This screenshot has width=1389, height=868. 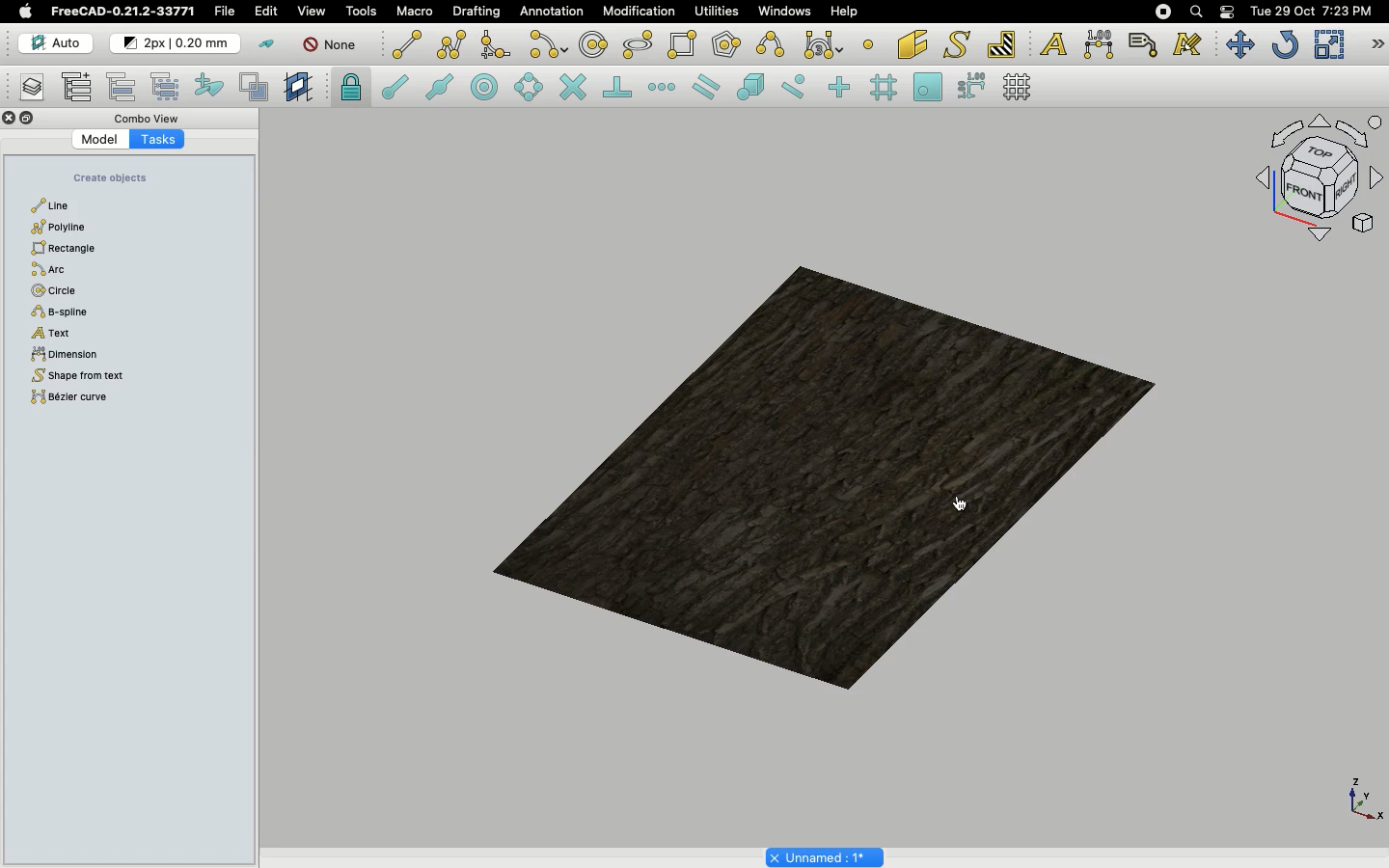 I want to click on Create objects, so click(x=109, y=178).